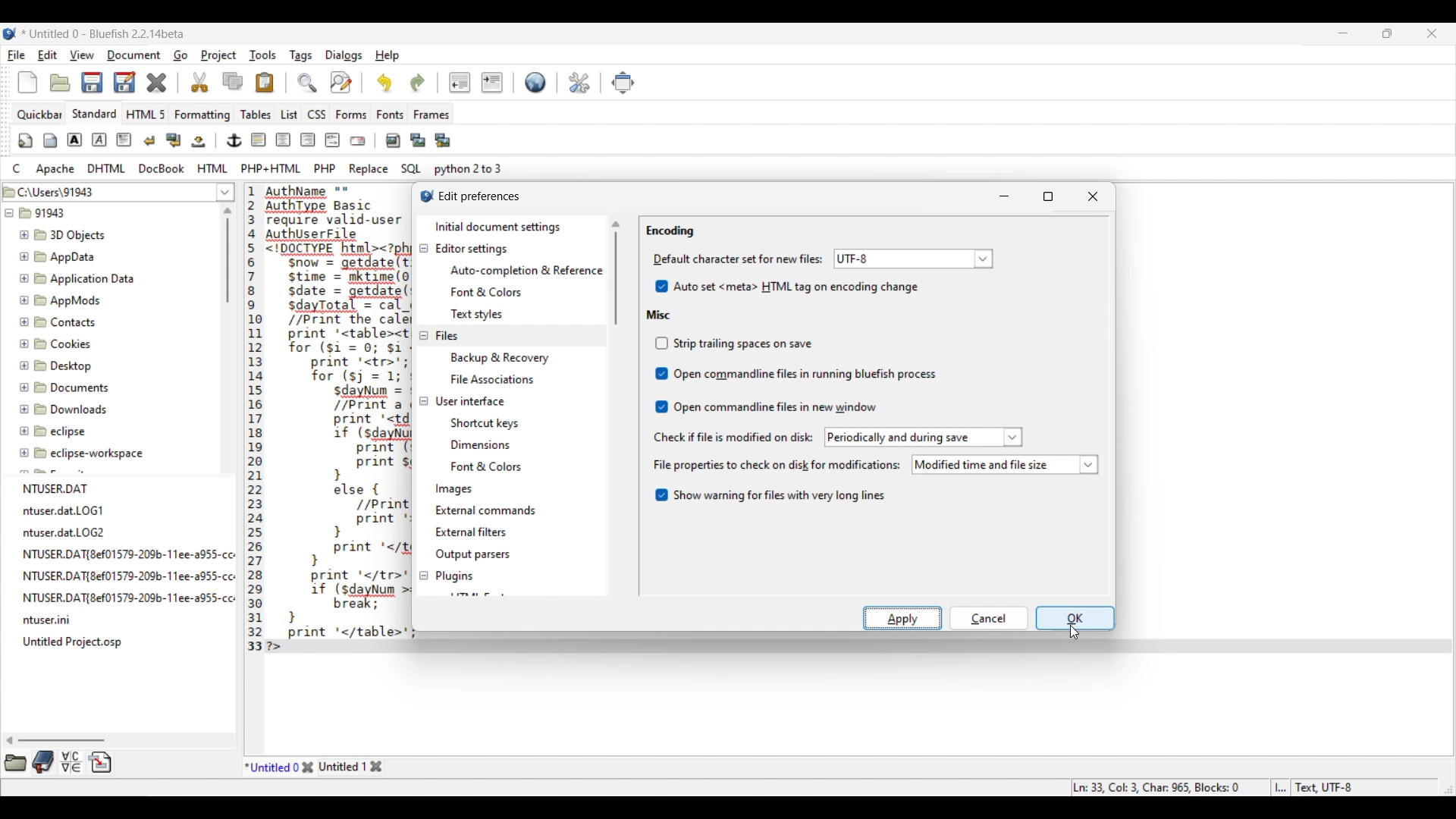  What do you see at coordinates (470, 402) in the screenshot?
I see `User interface settings` at bounding box center [470, 402].